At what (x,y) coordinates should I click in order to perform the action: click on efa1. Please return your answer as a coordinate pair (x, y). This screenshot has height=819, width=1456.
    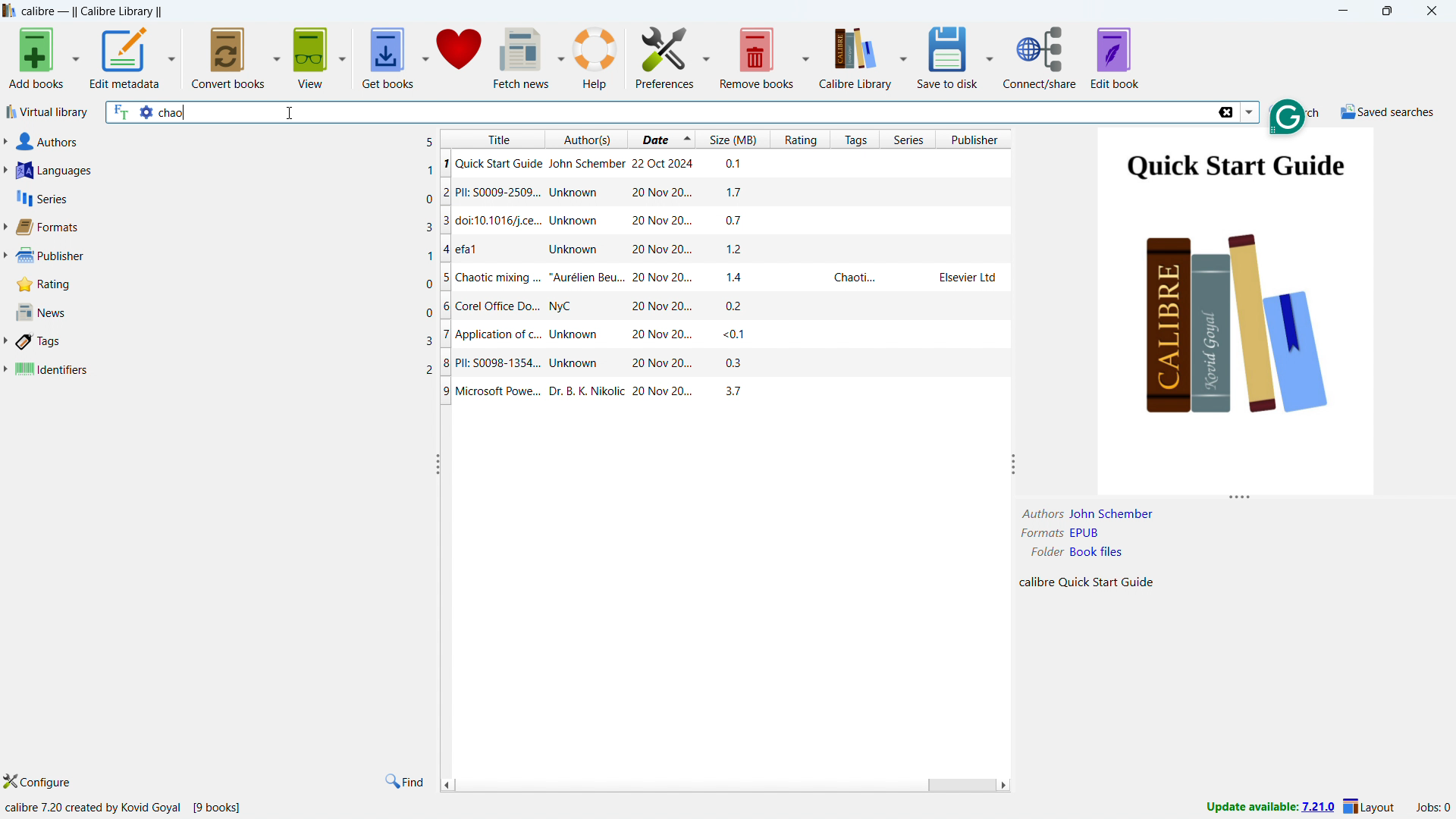
    Looking at the image, I should click on (726, 249).